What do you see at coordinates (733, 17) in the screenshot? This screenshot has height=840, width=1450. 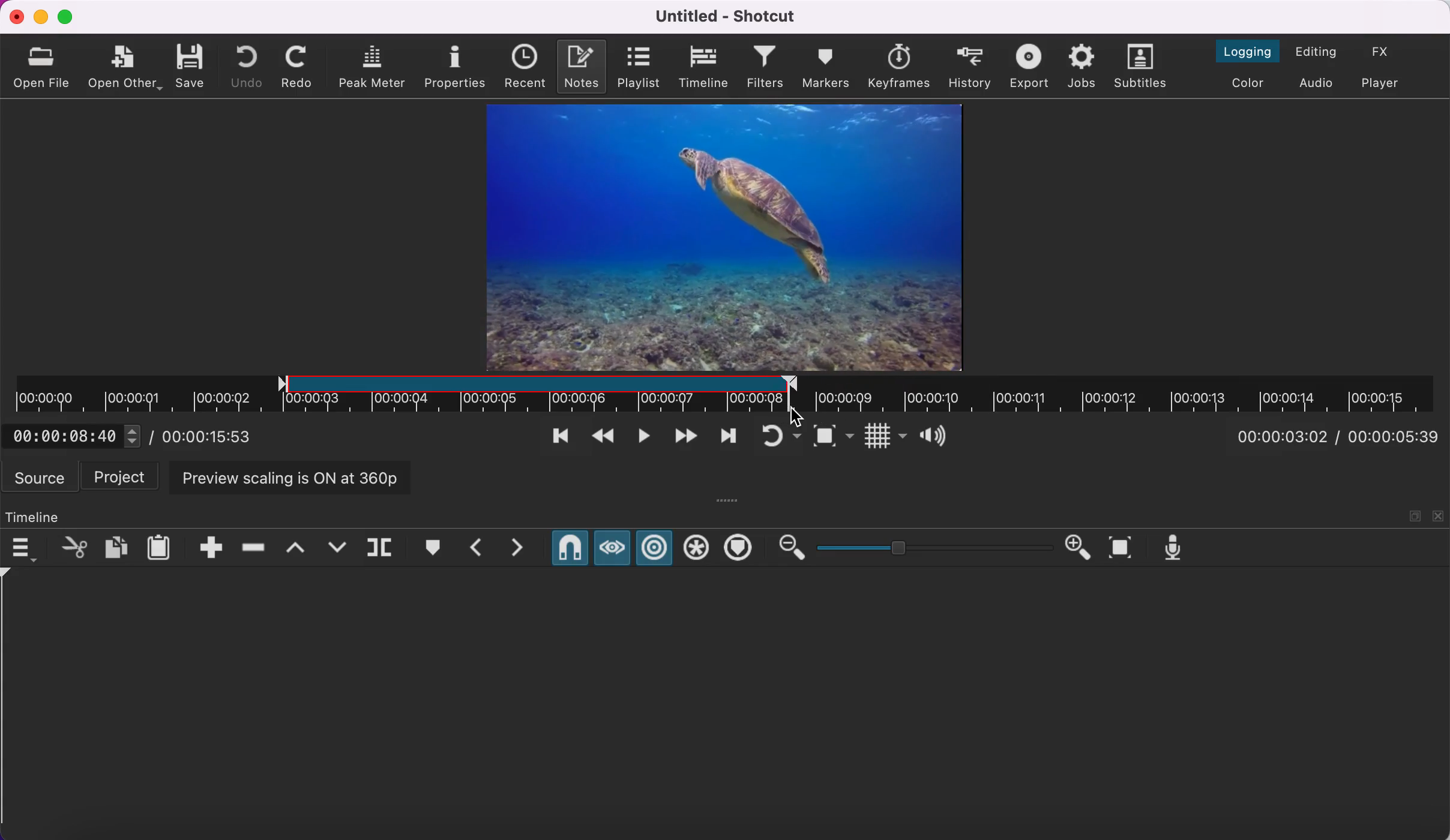 I see `title` at bounding box center [733, 17].